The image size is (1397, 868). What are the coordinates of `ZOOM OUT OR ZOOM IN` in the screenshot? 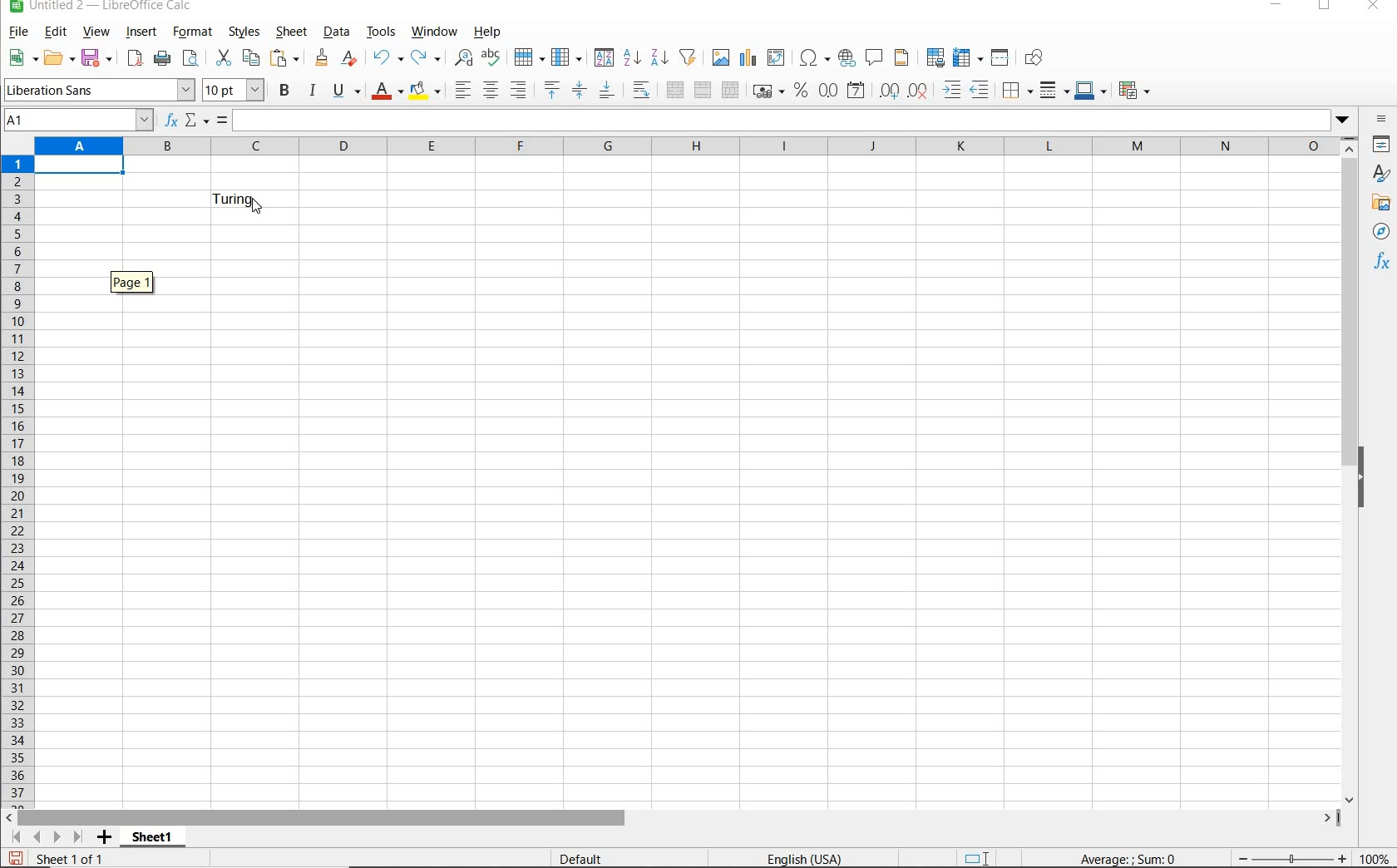 It's located at (1282, 858).